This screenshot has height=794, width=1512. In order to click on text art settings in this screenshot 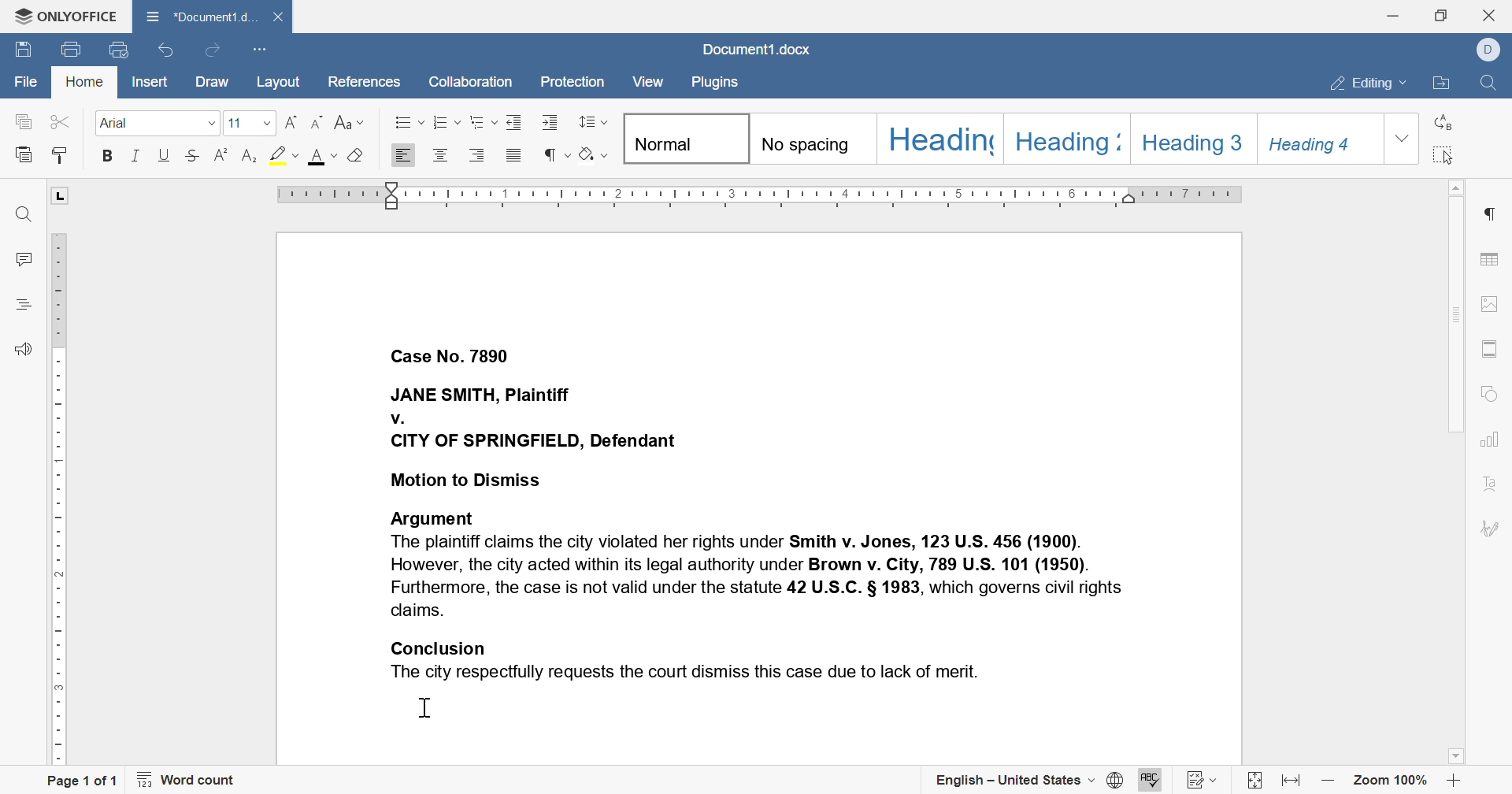, I will do `click(1489, 484)`.